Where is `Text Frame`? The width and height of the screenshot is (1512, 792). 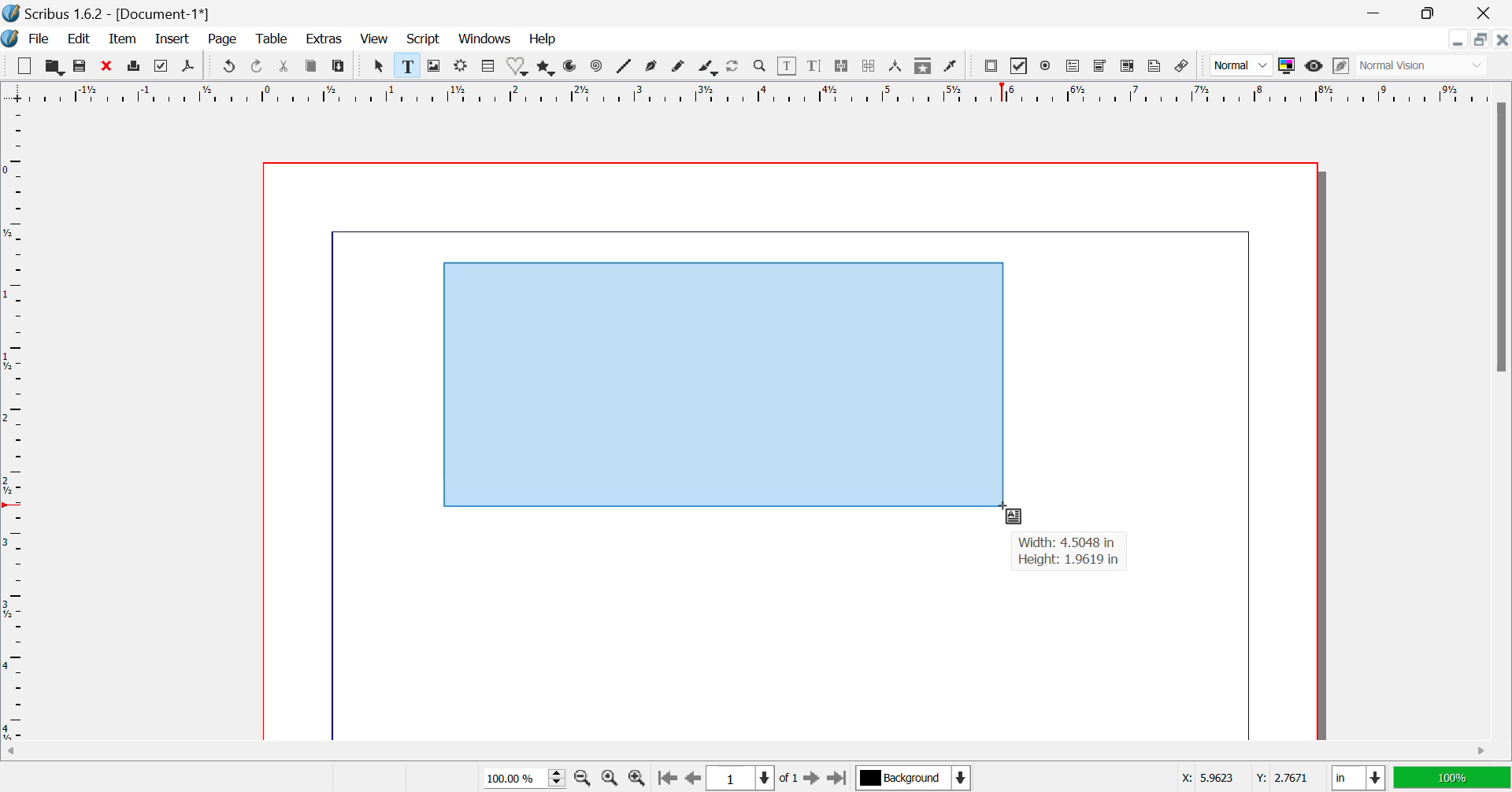 Text Frame is located at coordinates (408, 68).